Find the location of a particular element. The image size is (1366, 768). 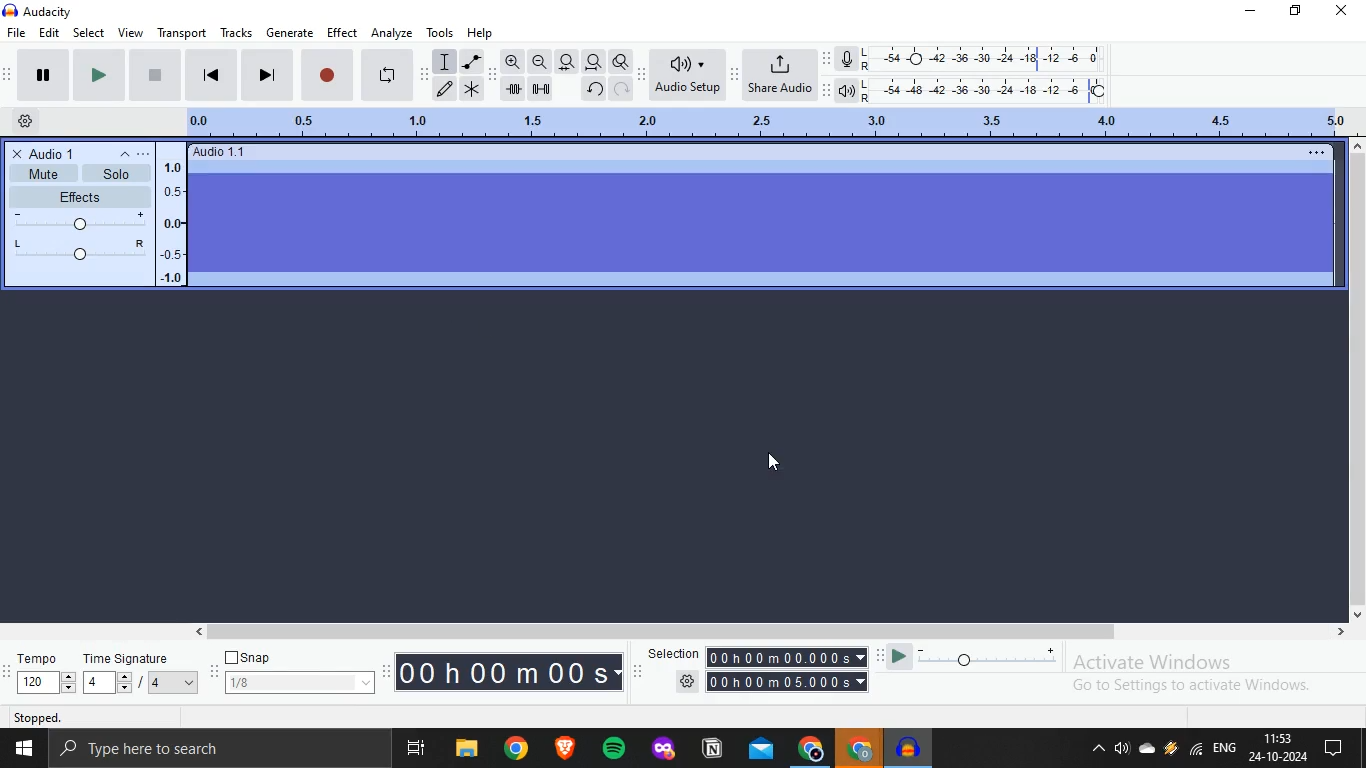

Spotify is located at coordinates (618, 750).